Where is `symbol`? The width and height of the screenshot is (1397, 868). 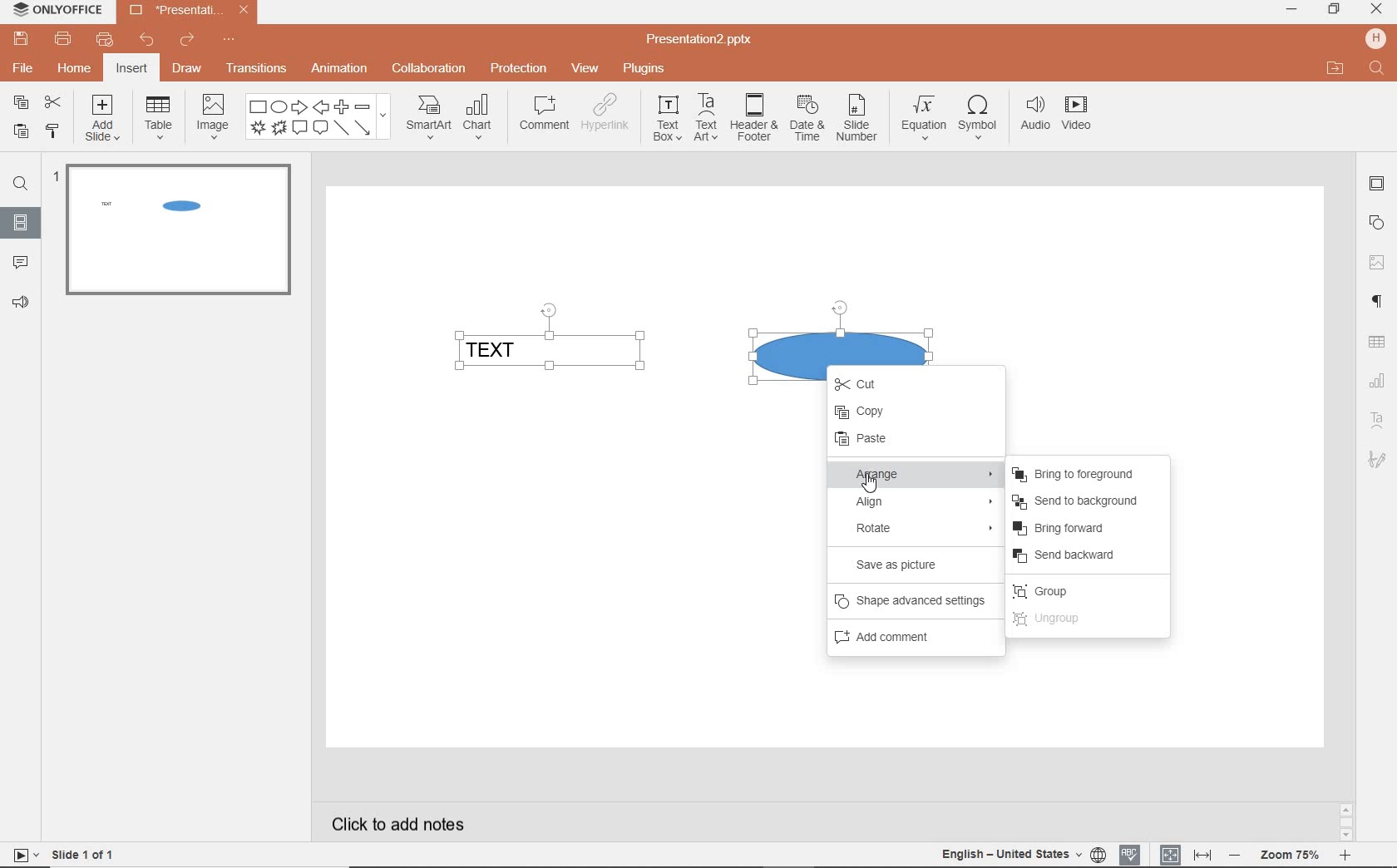 symbol is located at coordinates (975, 121).